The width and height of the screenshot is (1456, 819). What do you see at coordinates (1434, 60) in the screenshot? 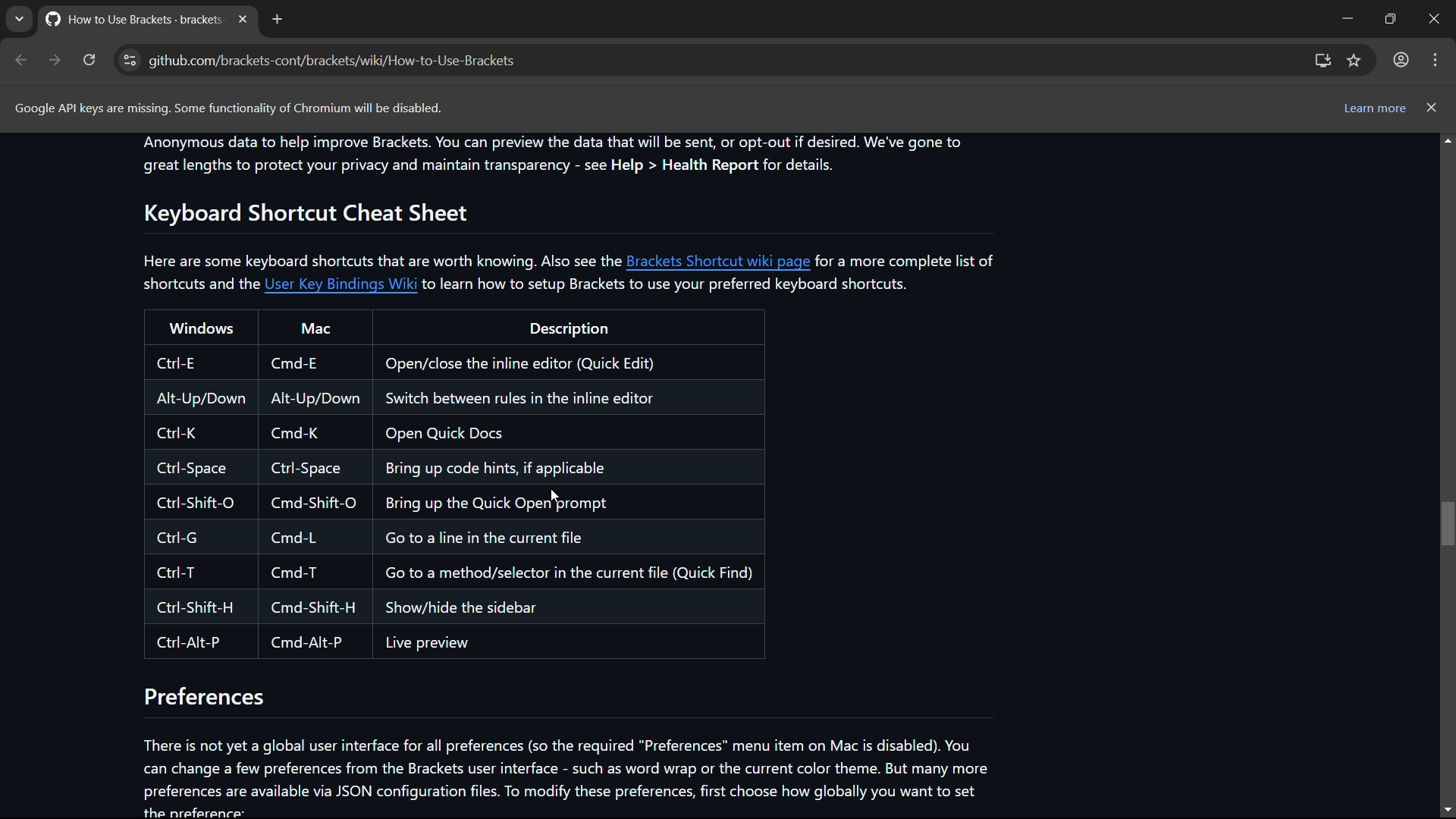
I see `more options` at bounding box center [1434, 60].